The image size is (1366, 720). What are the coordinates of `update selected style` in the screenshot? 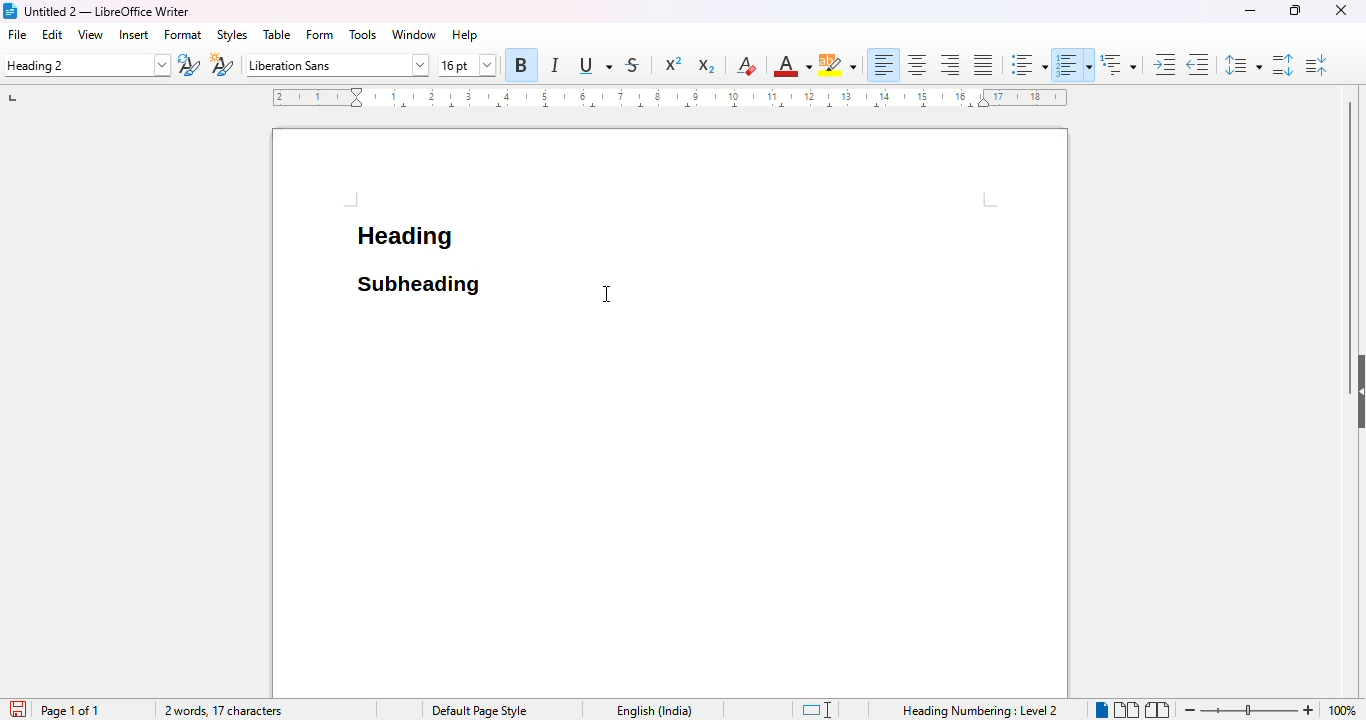 It's located at (189, 66).